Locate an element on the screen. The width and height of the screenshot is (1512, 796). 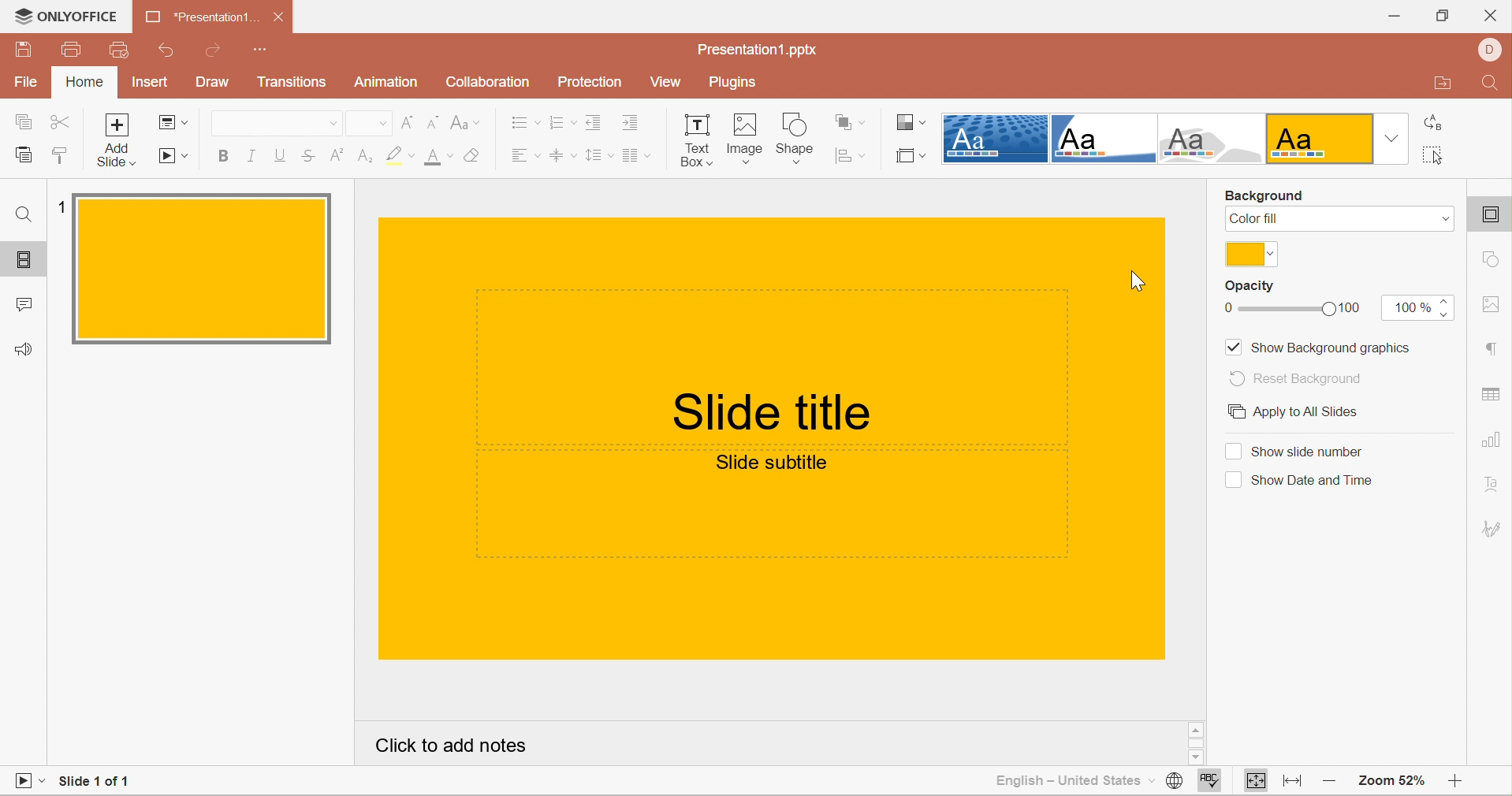
Start Slideshow is located at coordinates (29, 779).